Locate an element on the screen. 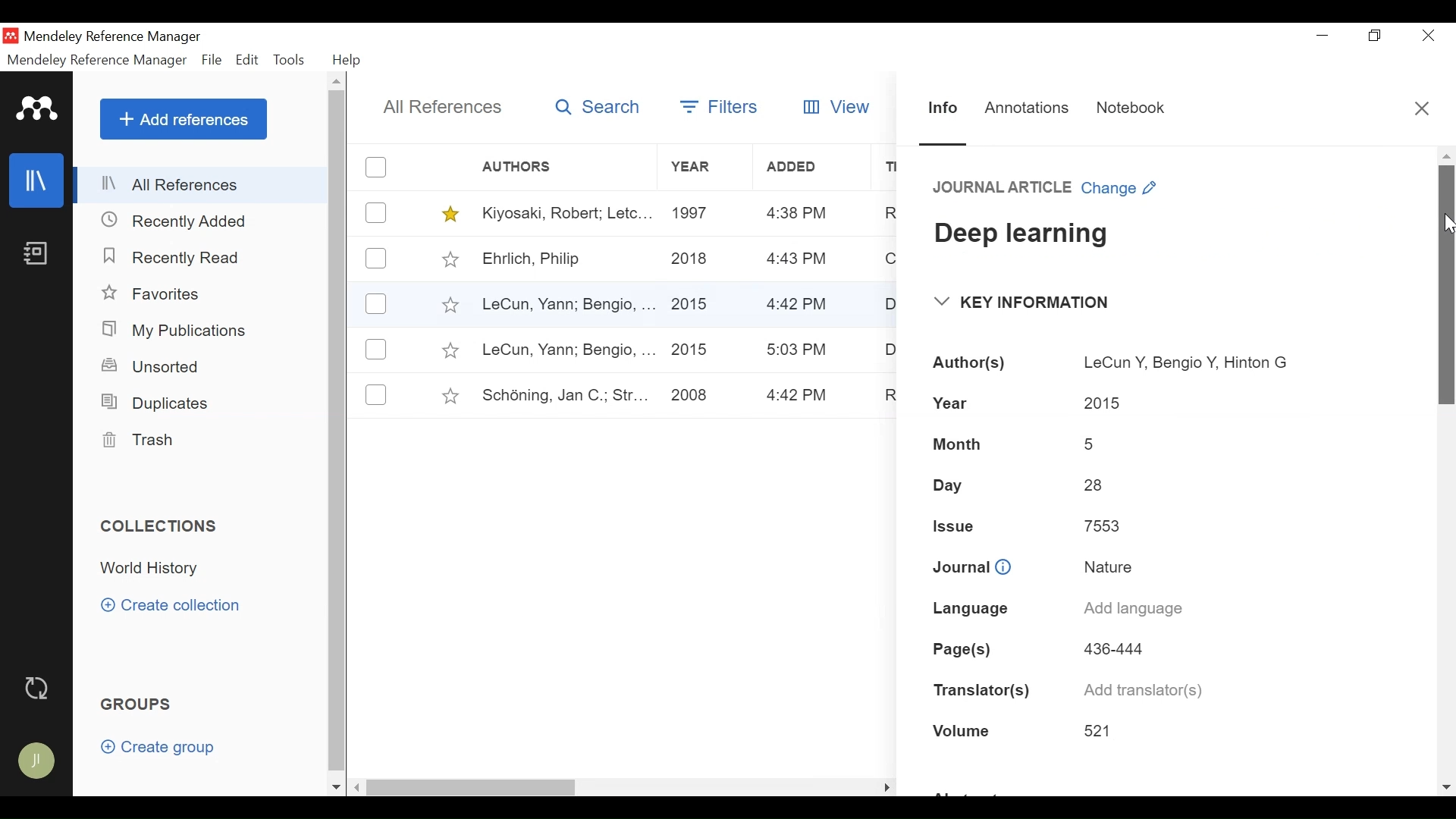 This screenshot has height=819, width=1456. LeCun, Yann; Bengio is located at coordinates (567, 350).